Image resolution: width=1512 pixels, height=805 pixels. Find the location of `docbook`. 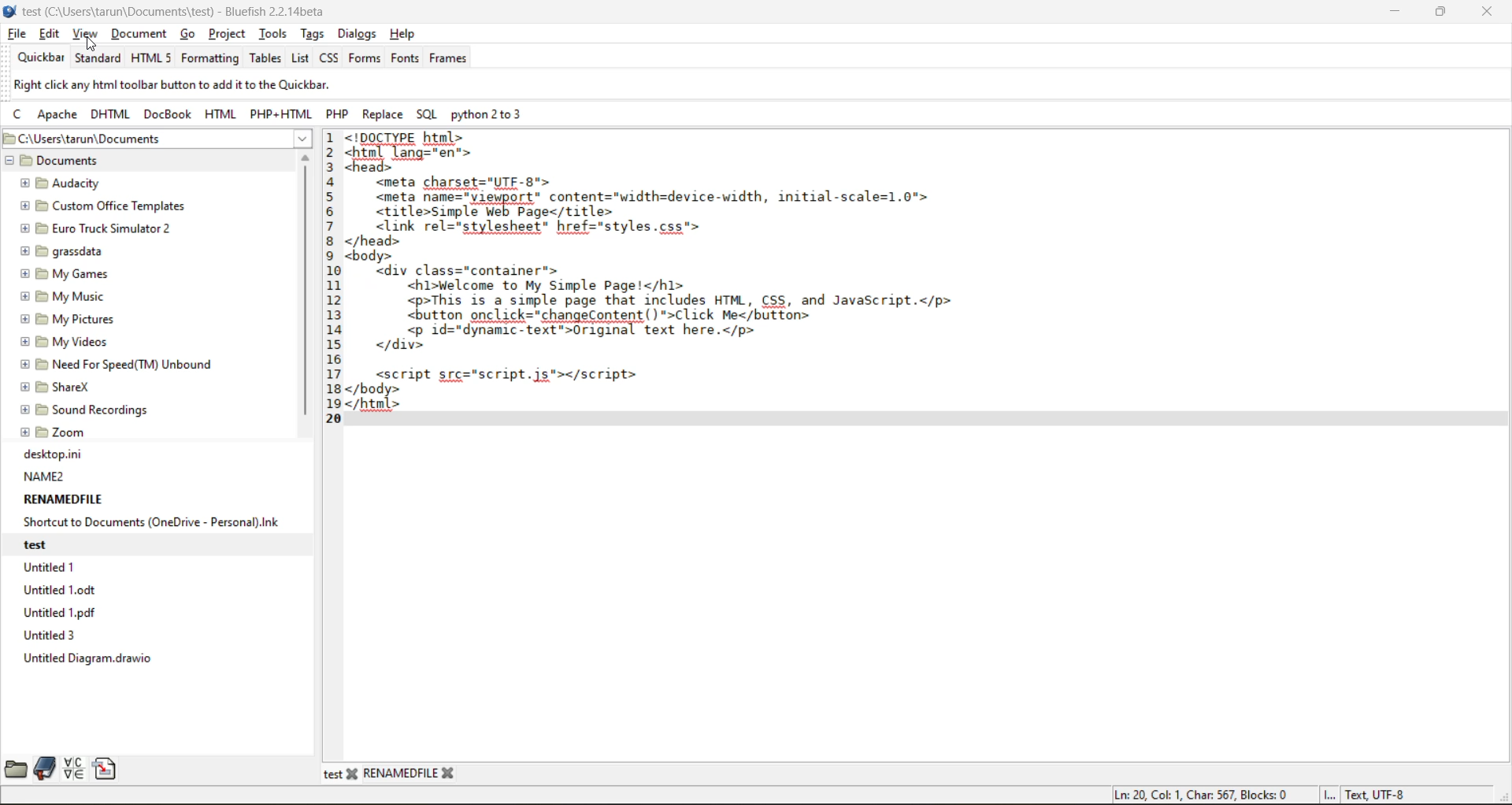

docbook is located at coordinates (169, 117).